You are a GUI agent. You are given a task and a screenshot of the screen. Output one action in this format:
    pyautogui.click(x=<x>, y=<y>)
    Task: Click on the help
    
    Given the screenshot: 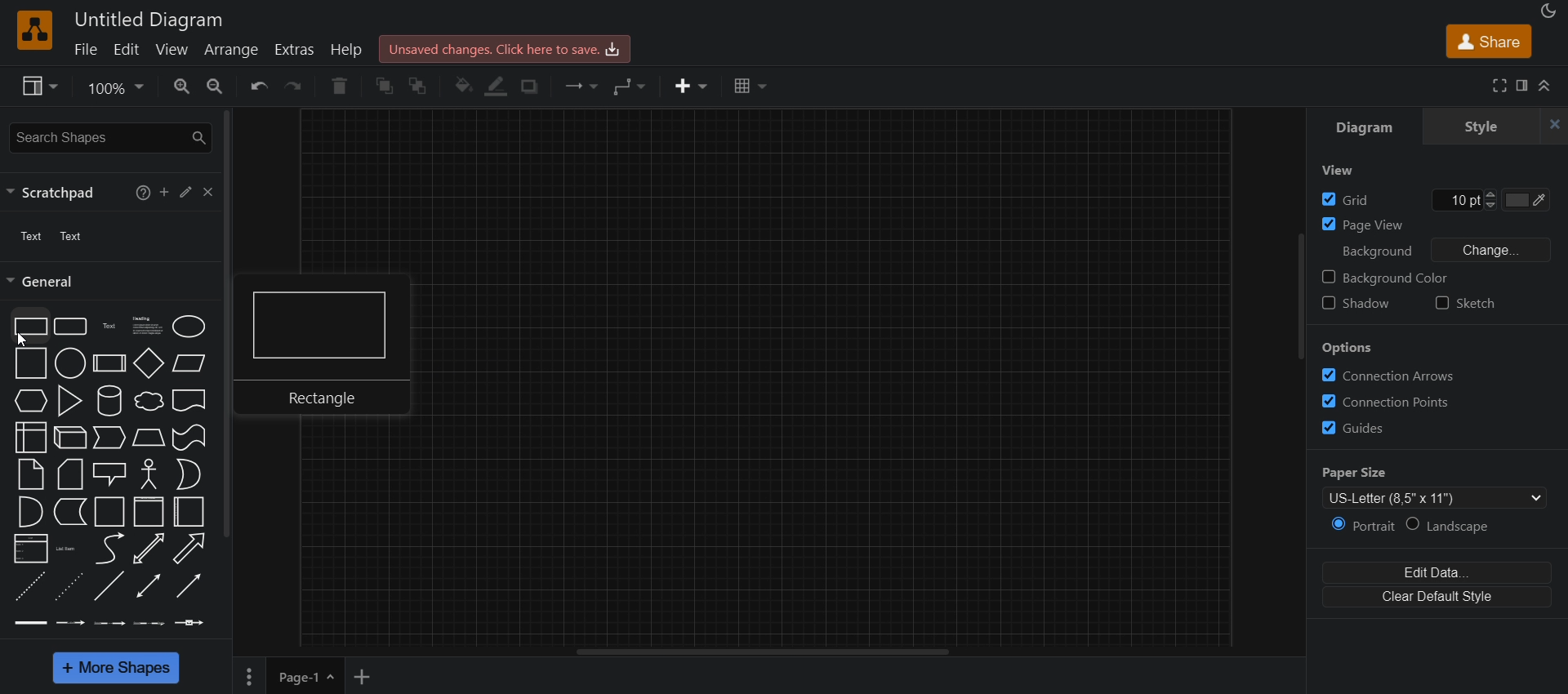 What is the action you would take?
    pyautogui.click(x=349, y=52)
    